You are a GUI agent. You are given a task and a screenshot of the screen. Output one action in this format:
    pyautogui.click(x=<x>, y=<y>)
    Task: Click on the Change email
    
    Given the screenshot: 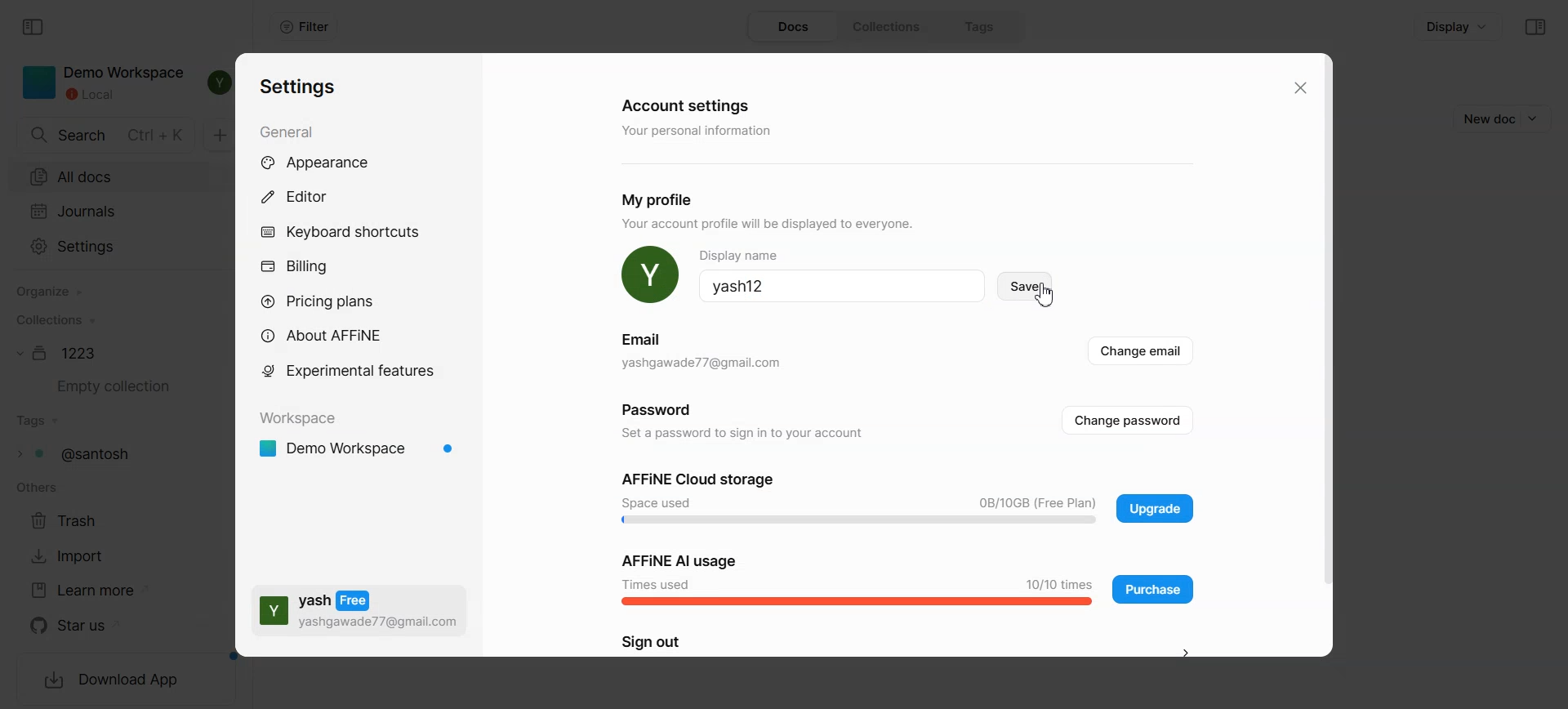 What is the action you would take?
    pyautogui.click(x=906, y=353)
    